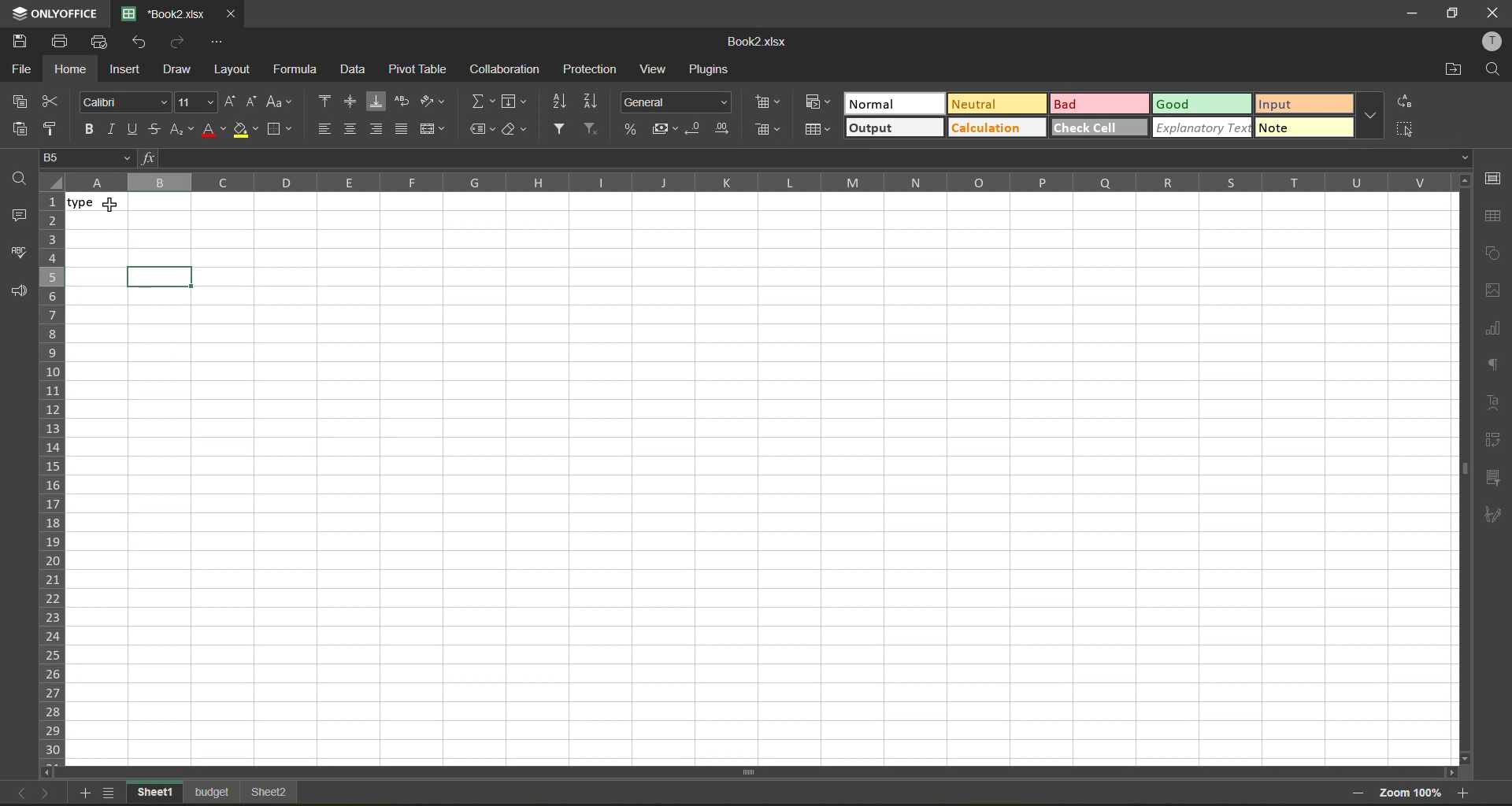 The image size is (1512, 806). Describe the element at coordinates (352, 131) in the screenshot. I see `align middle` at that location.